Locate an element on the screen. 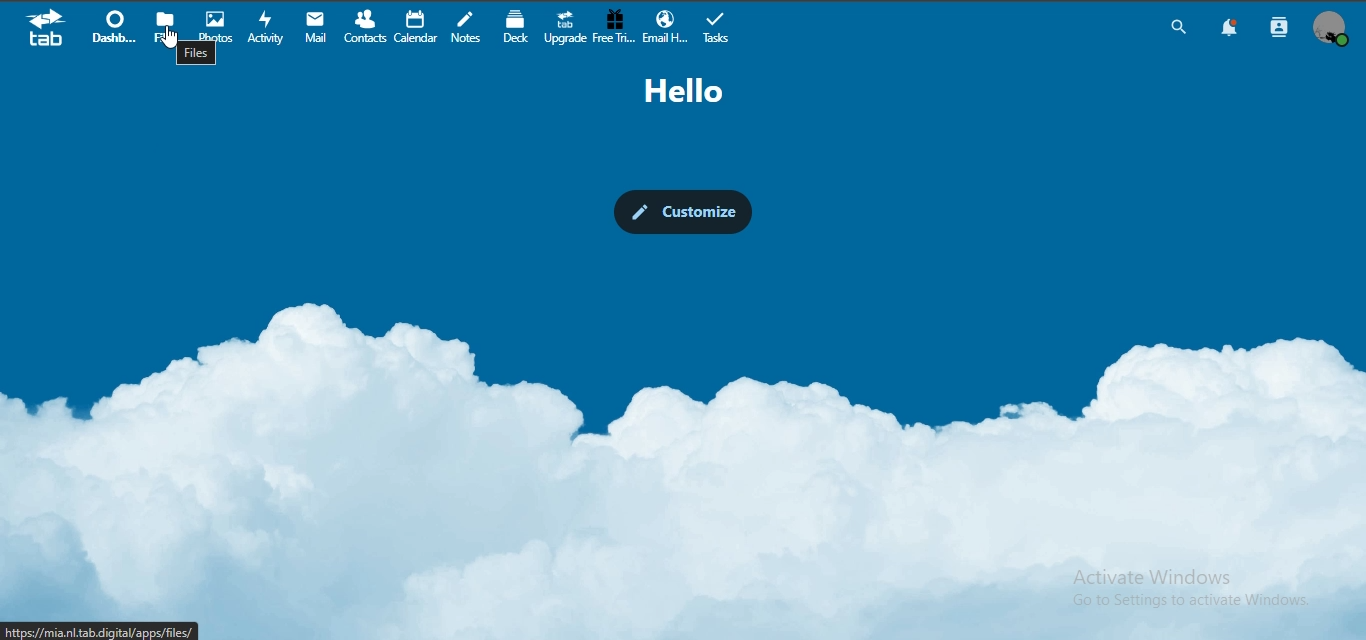 Image resolution: width=1366 pixels, height=640 pixels. search is located at coordinates (1176, 27).